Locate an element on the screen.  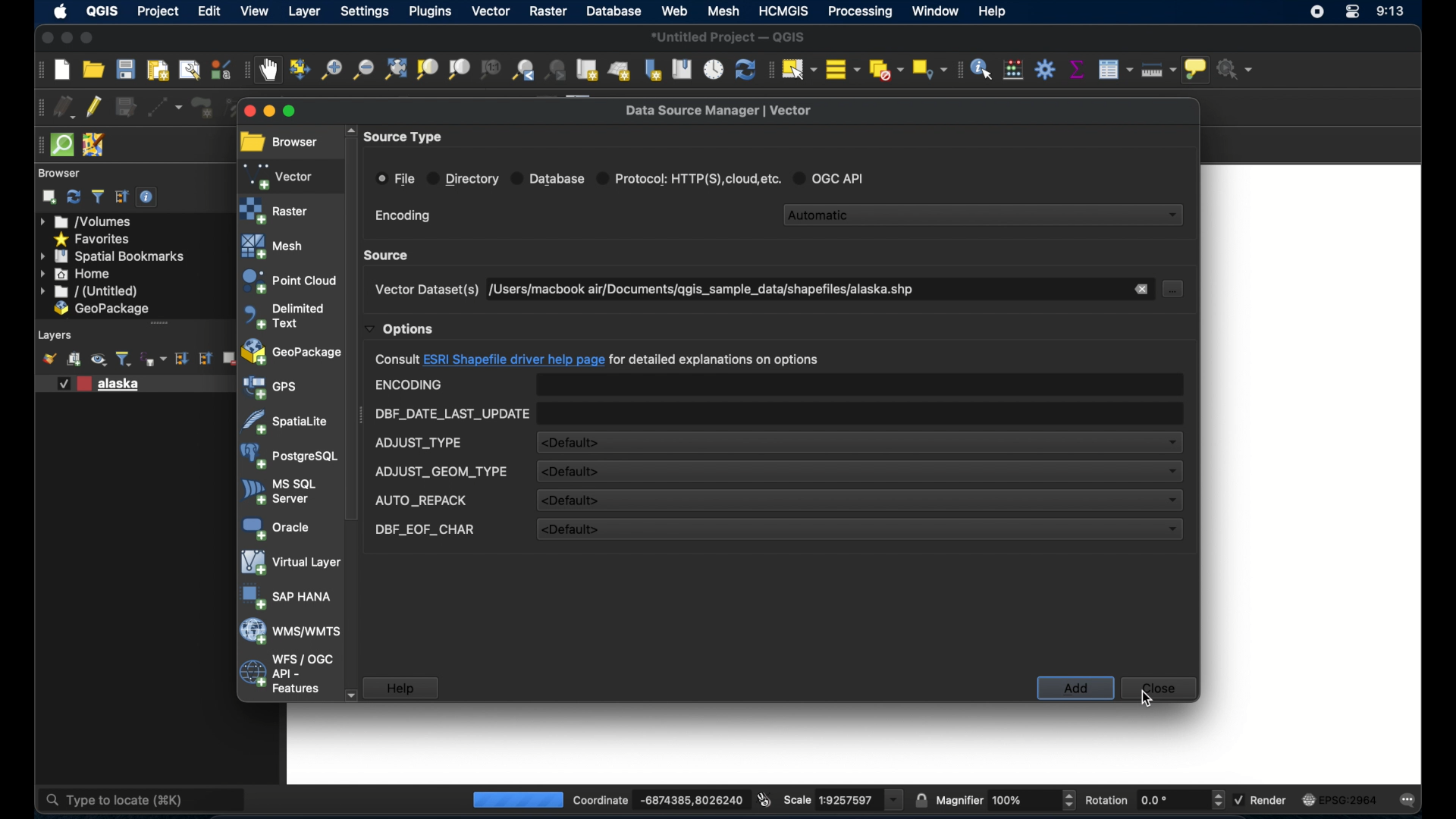
options dropdown is located at coordinates (400, 329).